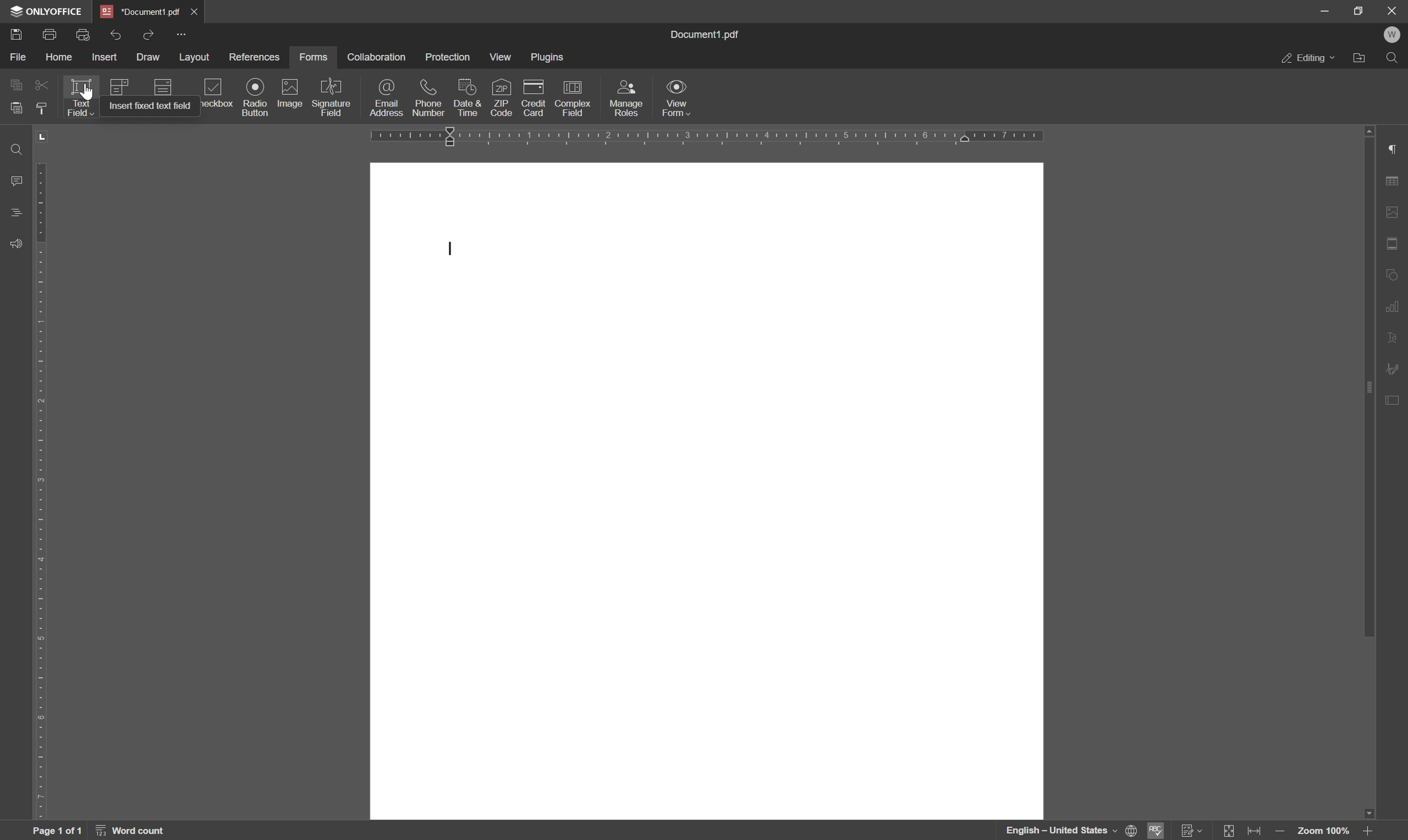  Describe the element at coordinates (502, 98) in the screenshot. I see `zip code` at that location.